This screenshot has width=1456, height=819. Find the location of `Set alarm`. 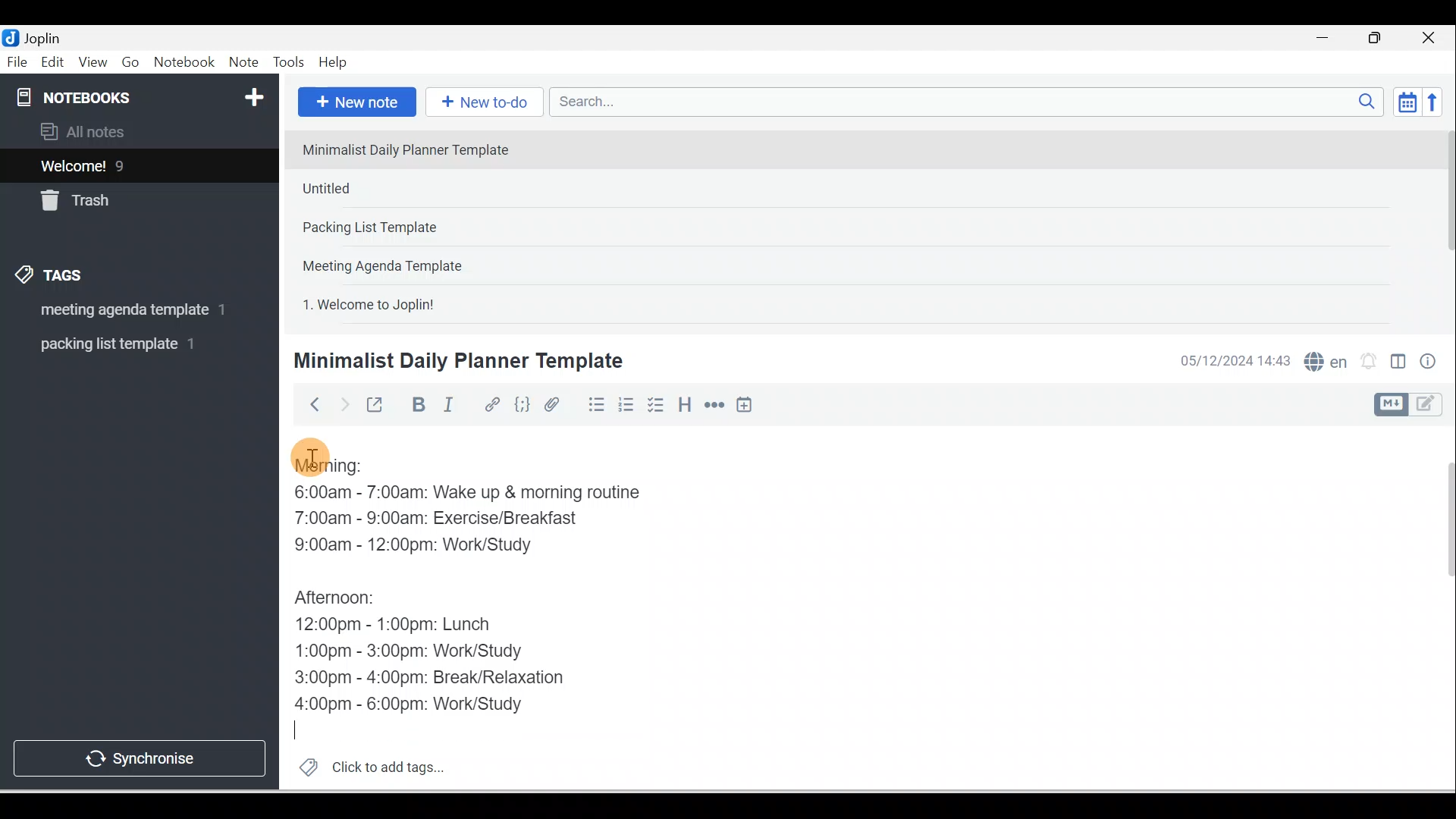

Set alarm is located at coordinates (1367, 362).